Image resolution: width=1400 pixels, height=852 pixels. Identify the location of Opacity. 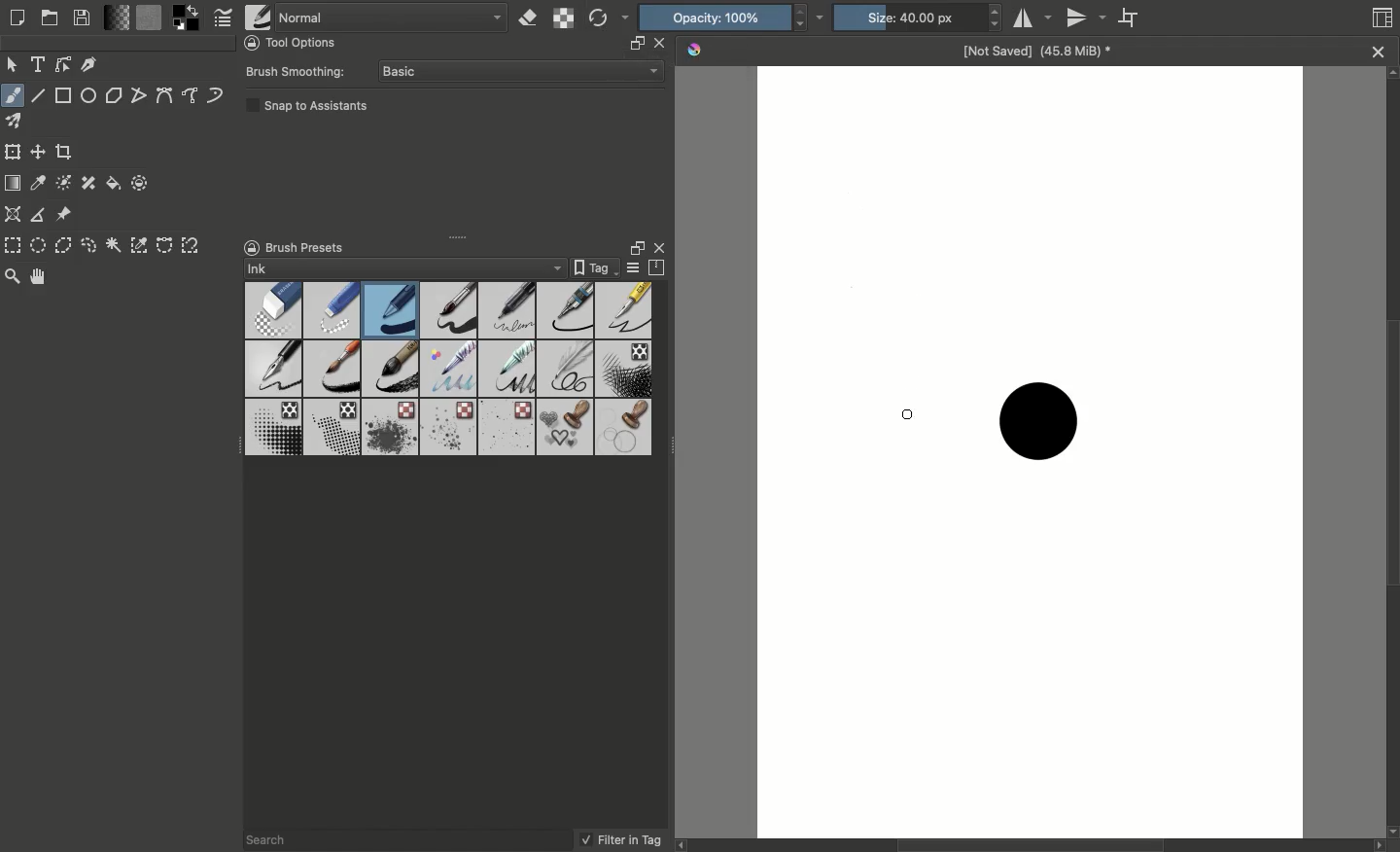
(732, 18).